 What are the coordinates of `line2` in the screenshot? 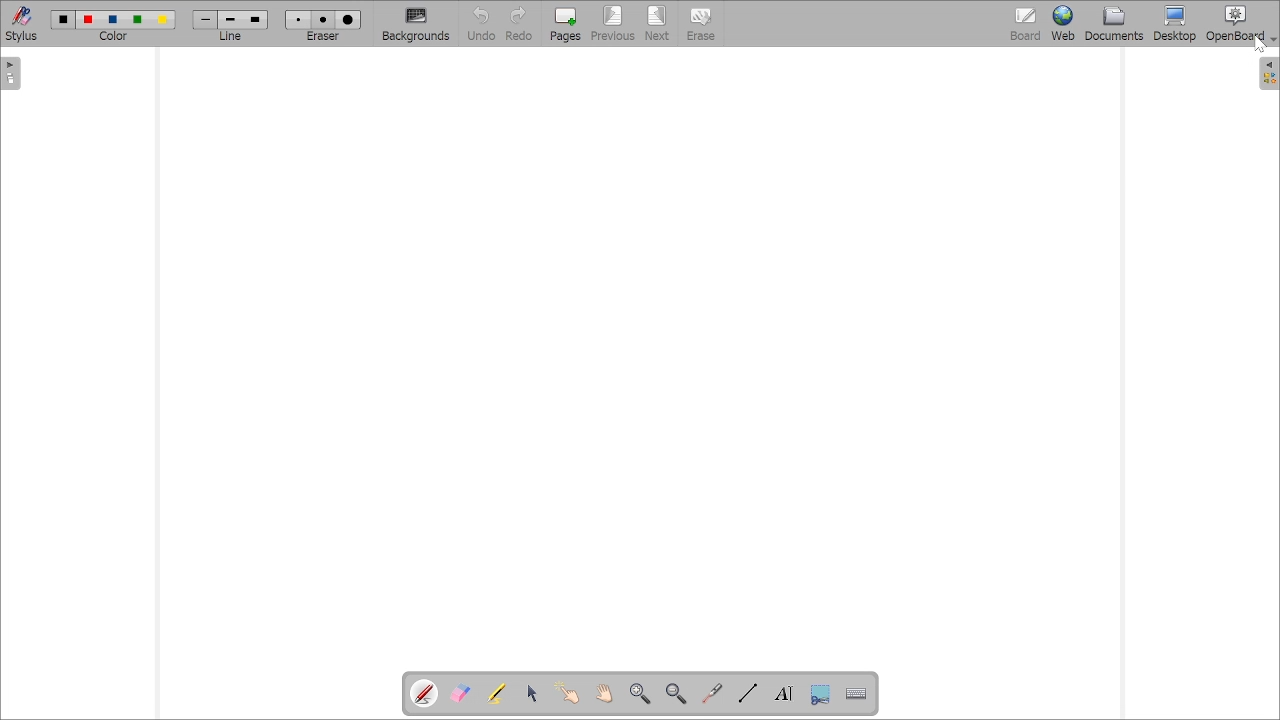 It's located at (229, 20).